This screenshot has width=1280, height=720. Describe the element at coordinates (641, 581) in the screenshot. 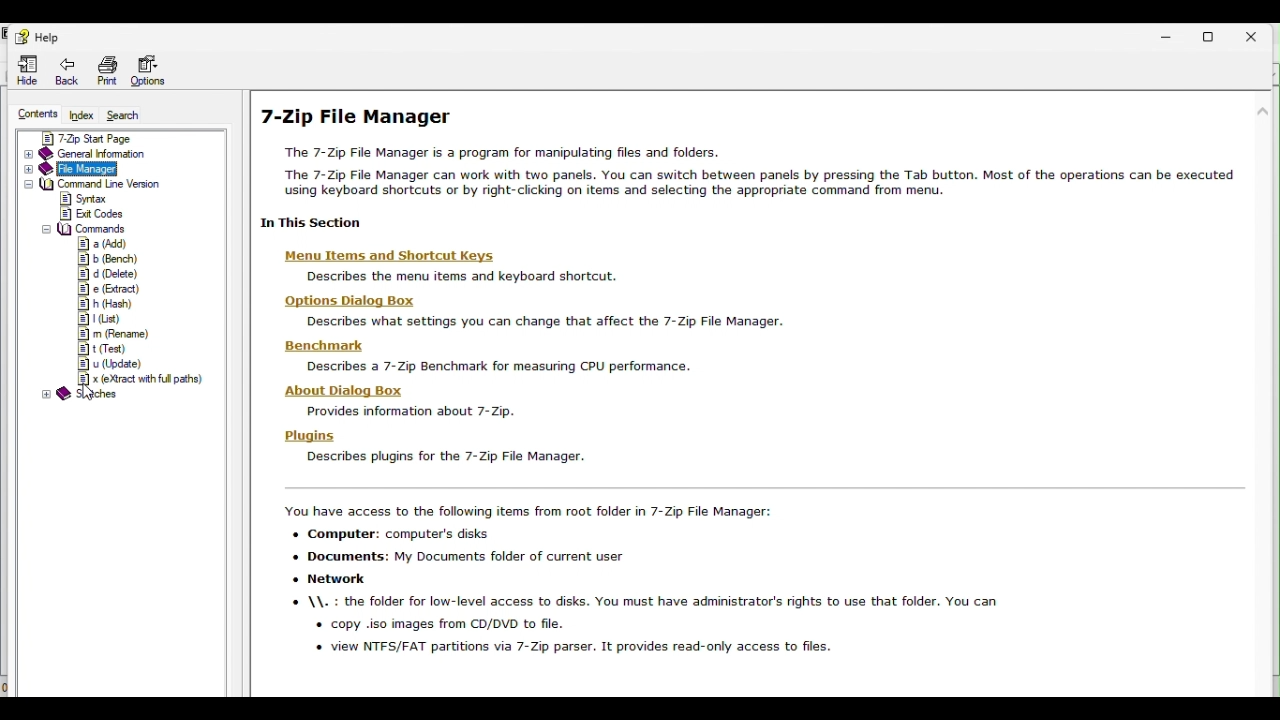

I see `zip file manager text` at that location.